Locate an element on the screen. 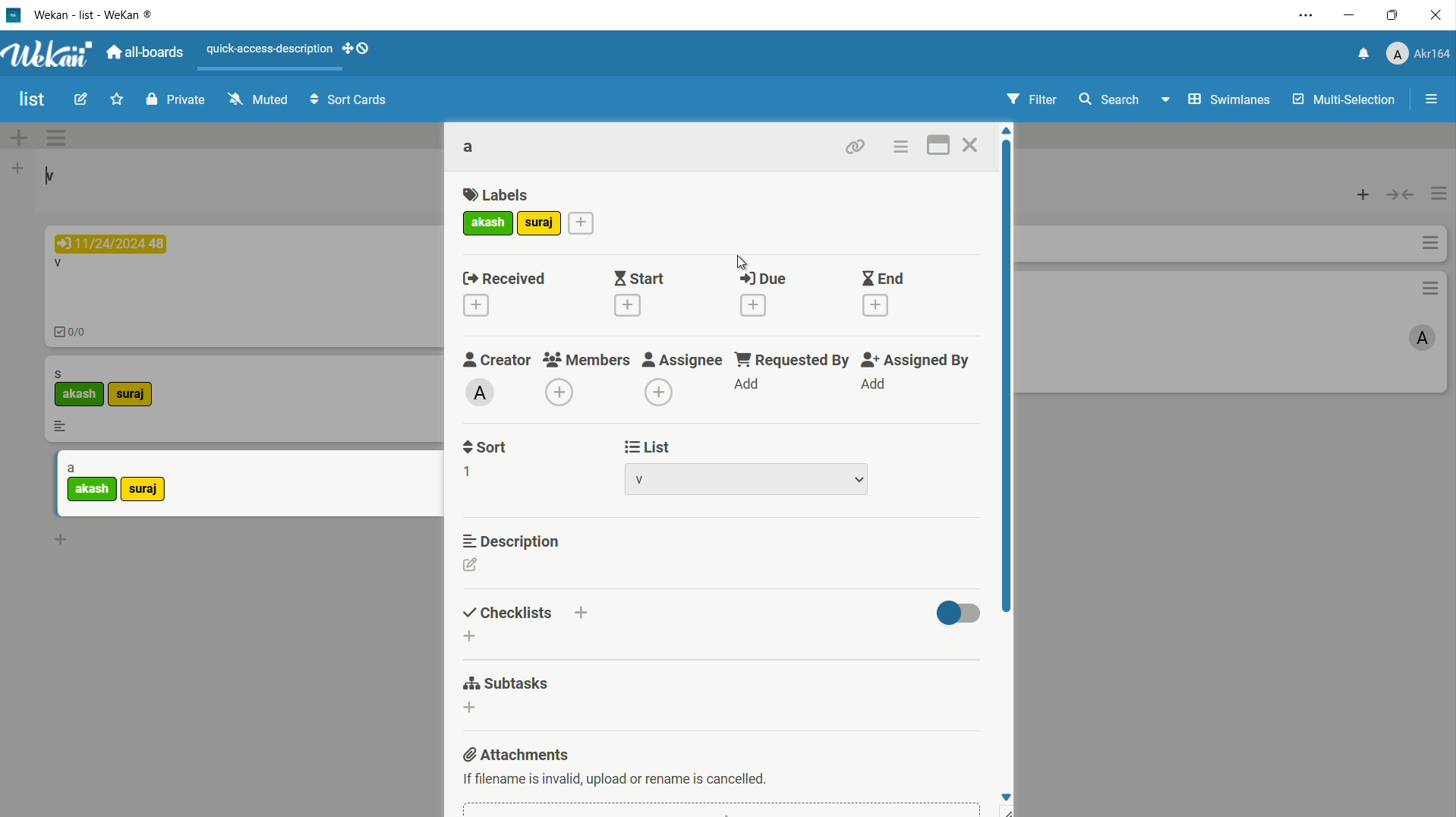 The width and height of the screenshot is (1456, 817). app icon is located at coordinates (15, 14).